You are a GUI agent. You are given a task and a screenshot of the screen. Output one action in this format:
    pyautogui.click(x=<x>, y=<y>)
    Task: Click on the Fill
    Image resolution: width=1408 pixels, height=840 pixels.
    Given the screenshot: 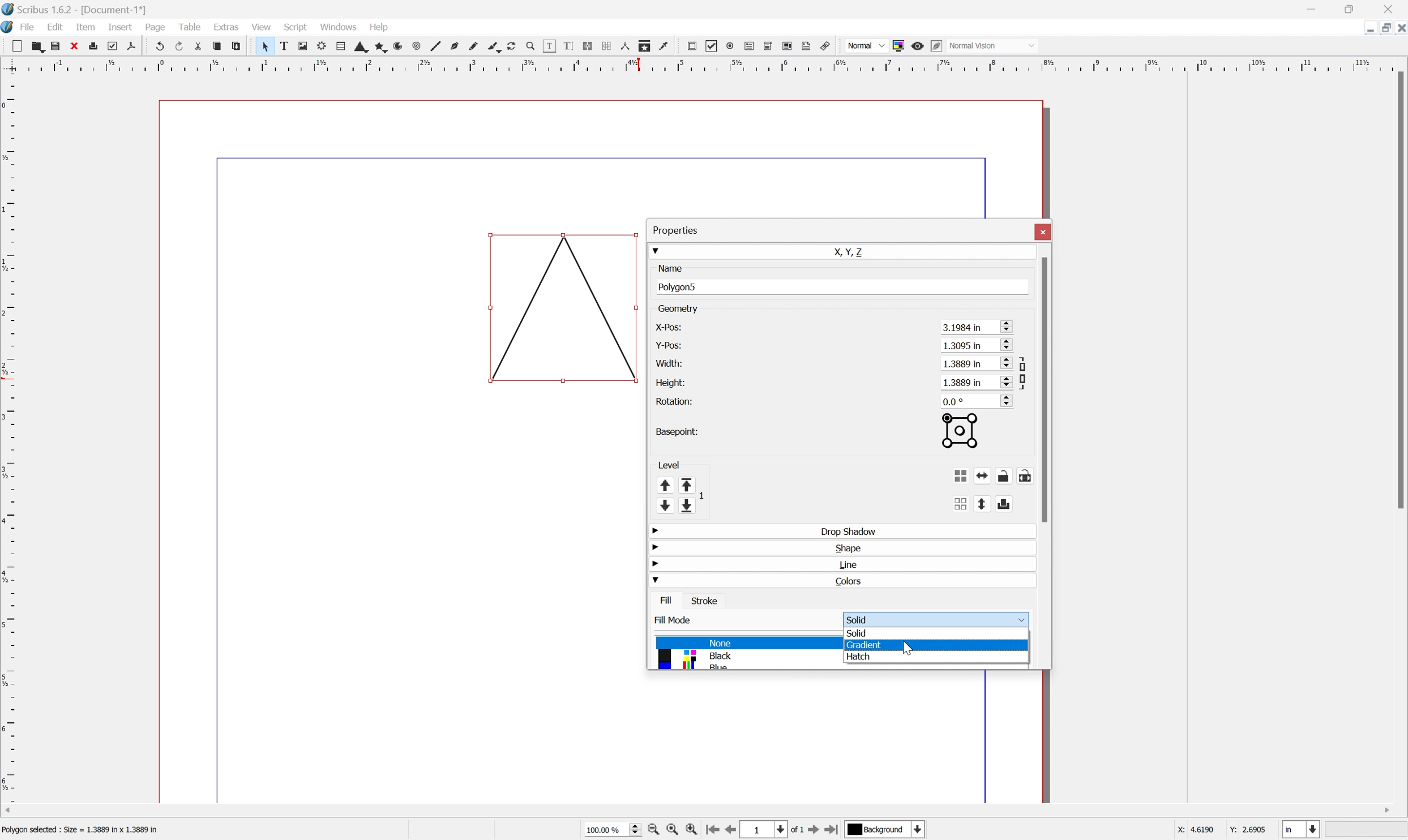 What is the action you would take?
    pyautogui.click(x=668, y=600)
    